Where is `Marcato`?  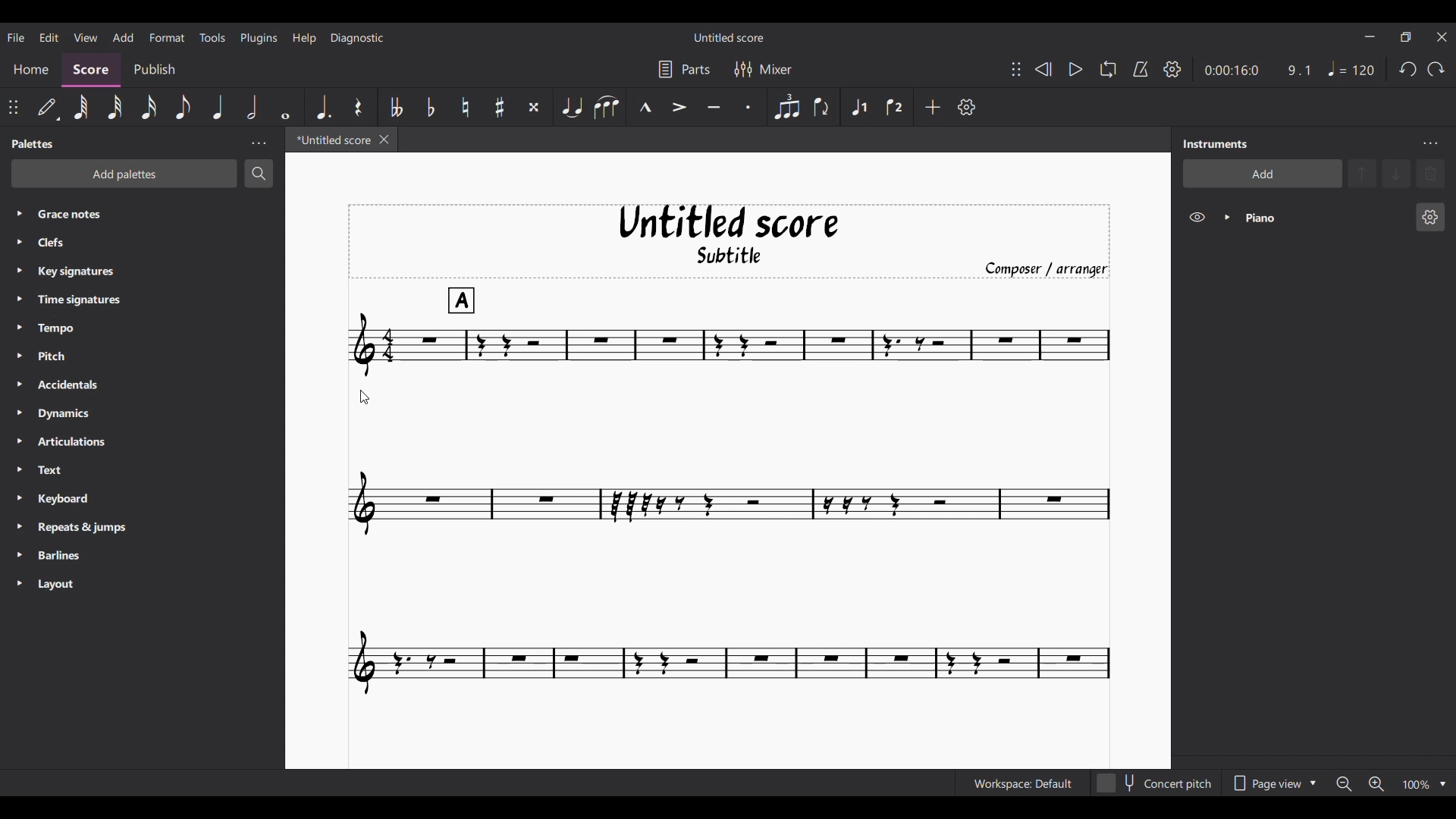
Marcato is located at coordinates (645, 106).